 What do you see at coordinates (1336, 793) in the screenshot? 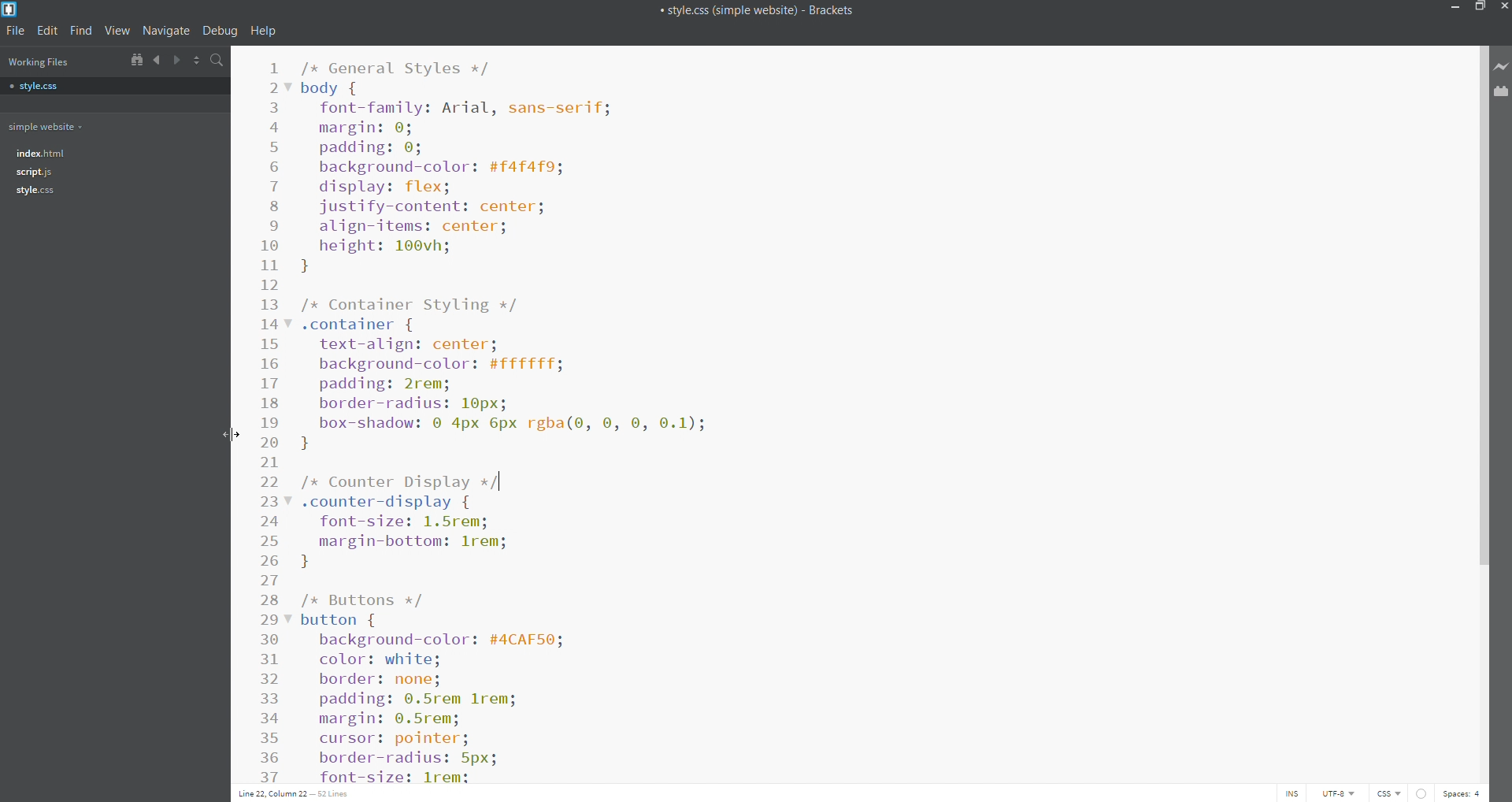
I see `encoding` at bounding box center [1336, 793].